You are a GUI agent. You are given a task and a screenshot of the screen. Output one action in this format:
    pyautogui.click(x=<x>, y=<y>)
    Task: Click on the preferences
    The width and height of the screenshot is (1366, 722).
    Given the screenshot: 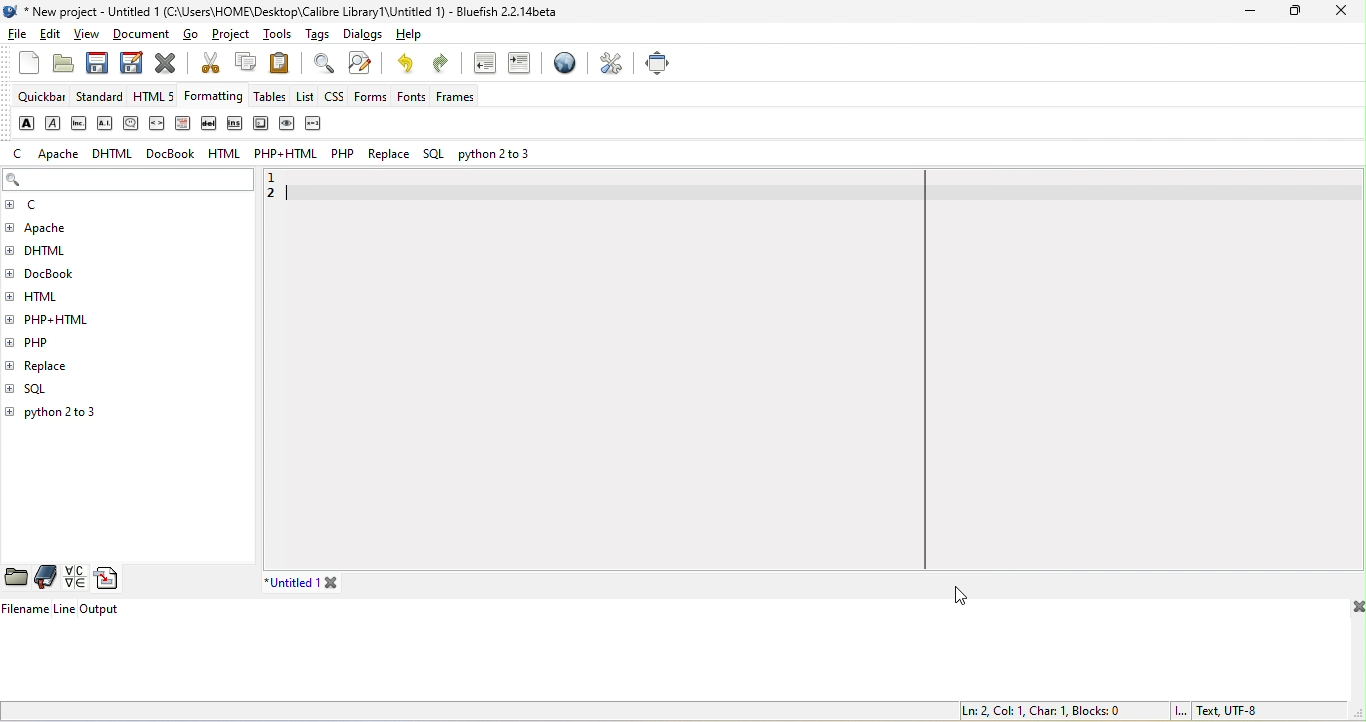 What is the action you would take?
    pyautogui.click(x=612, y=63)
    